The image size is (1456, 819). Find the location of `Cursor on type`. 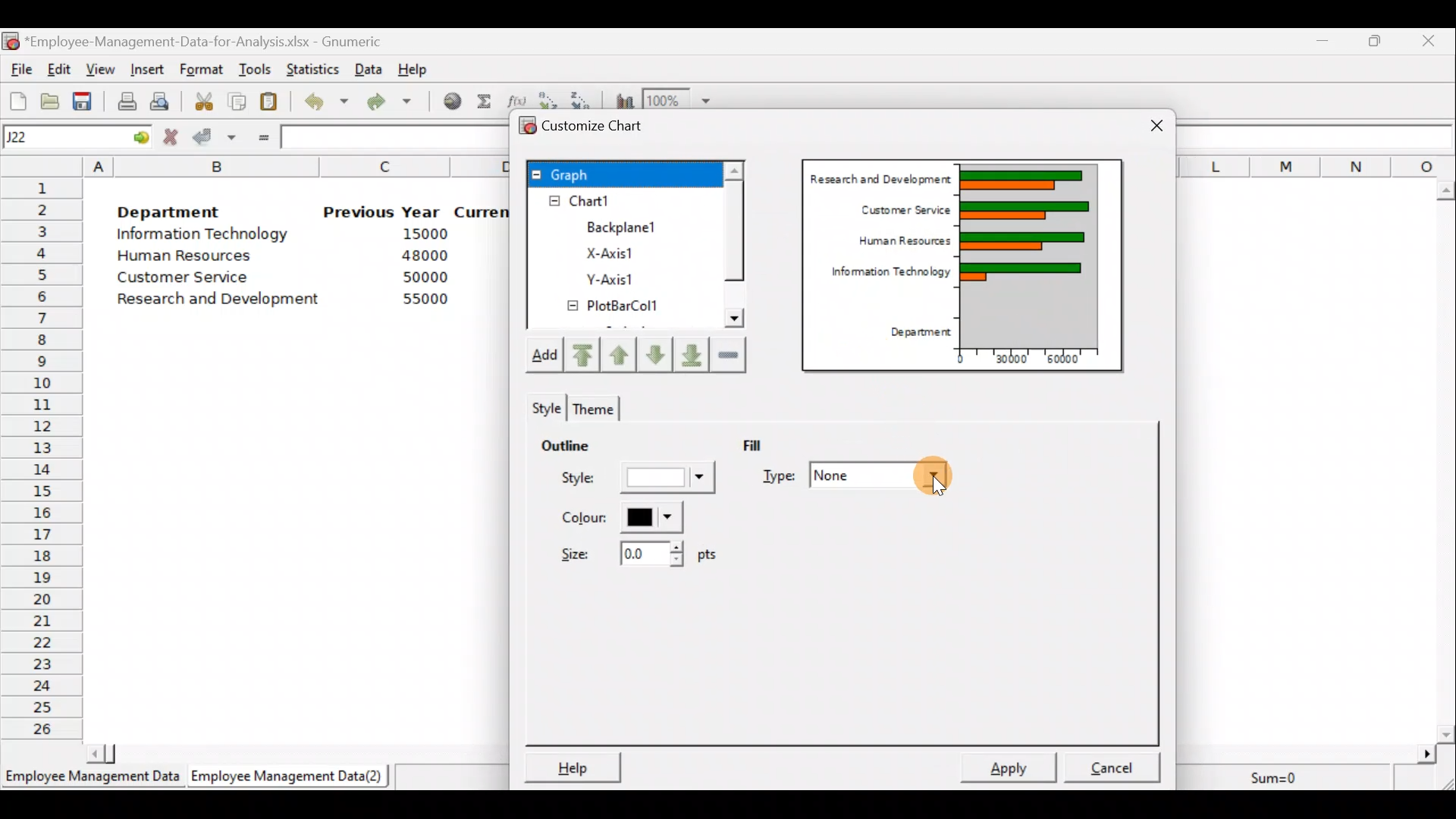

Cursor on type is located at coordinates (934, 480).